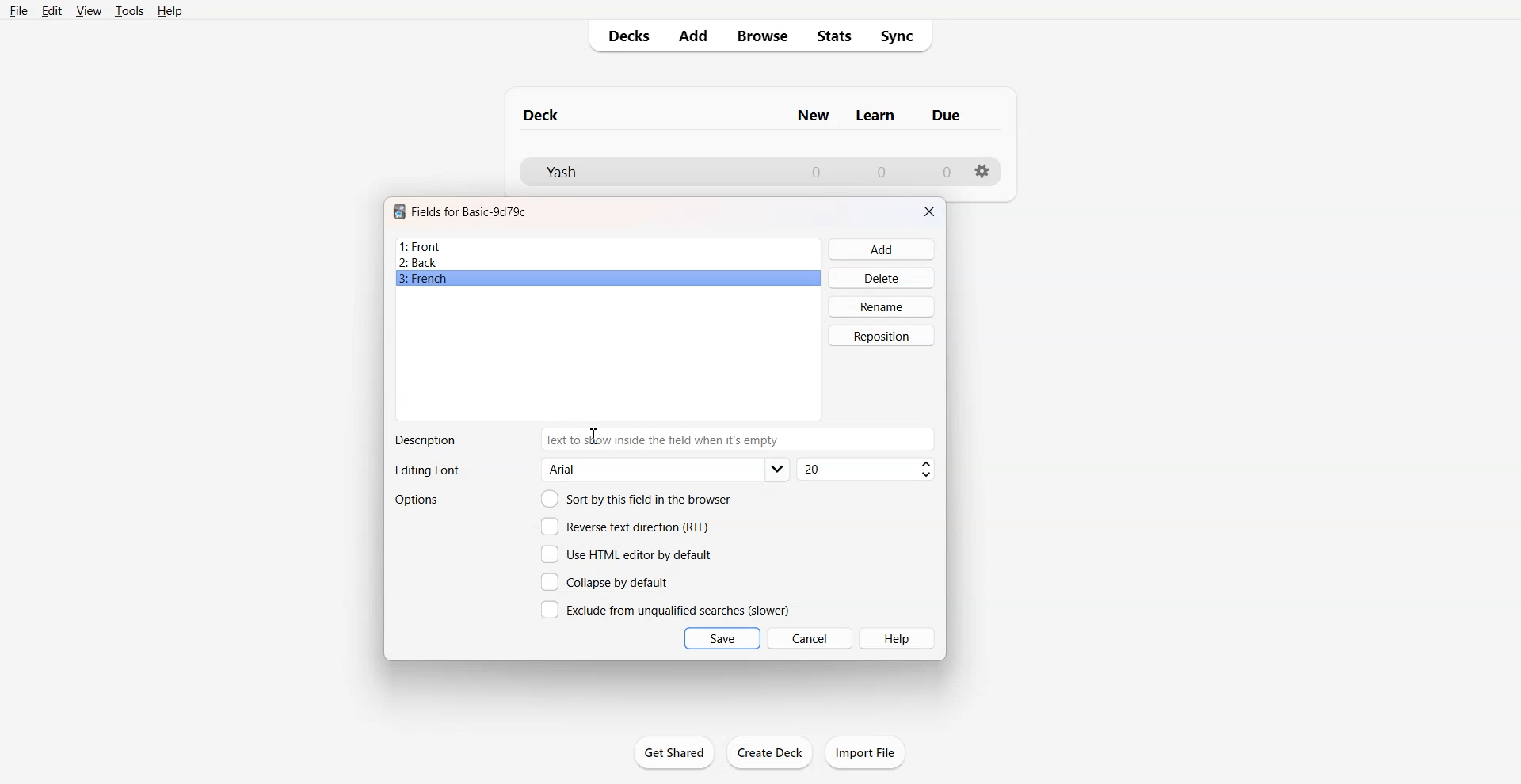  Describe the element at coordinates (636, 498) in the screenshot. I see `Sort by this field in the browser` at that location.